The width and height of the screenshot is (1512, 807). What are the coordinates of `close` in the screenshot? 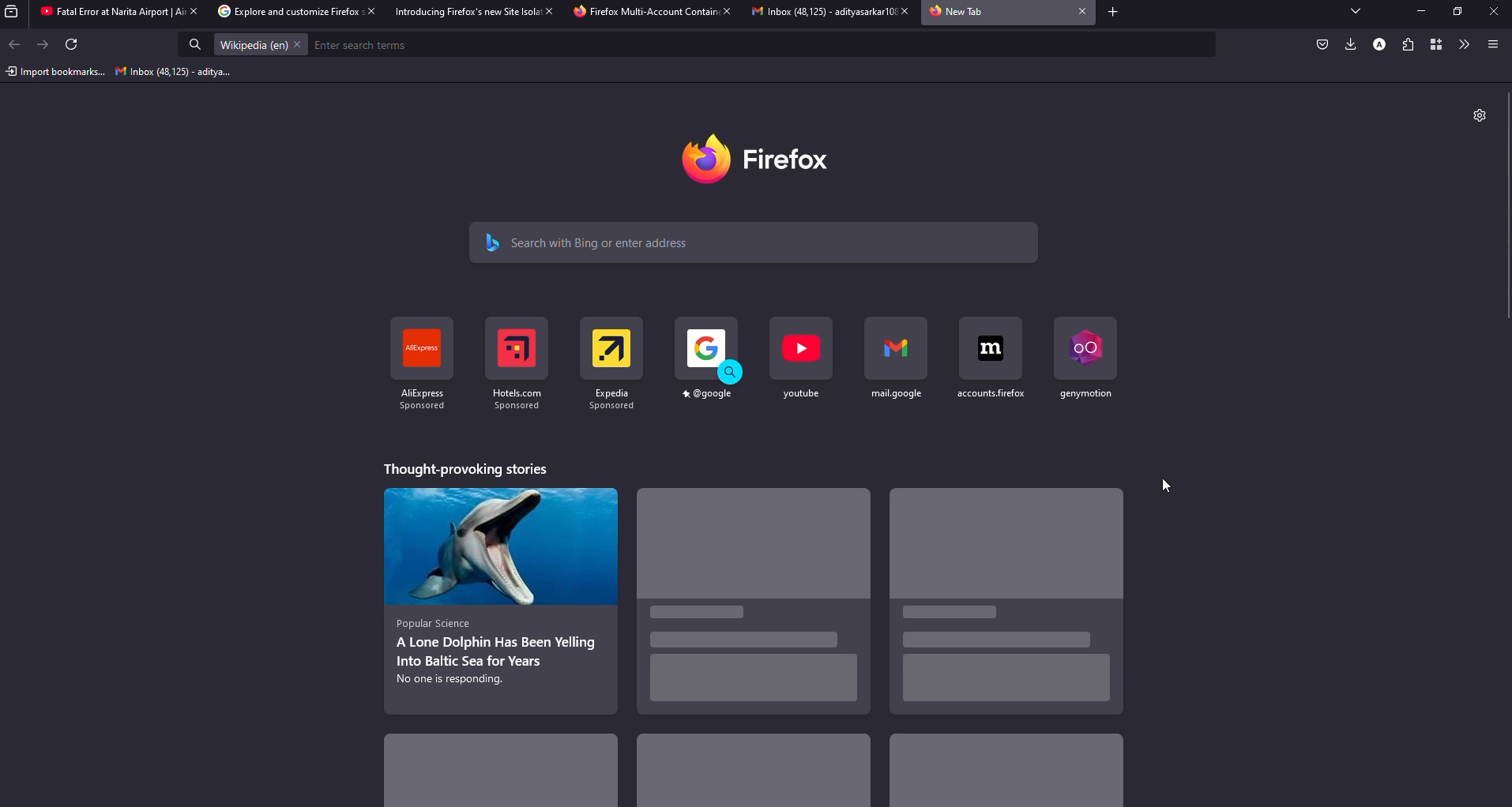 It's located at (367, 12).